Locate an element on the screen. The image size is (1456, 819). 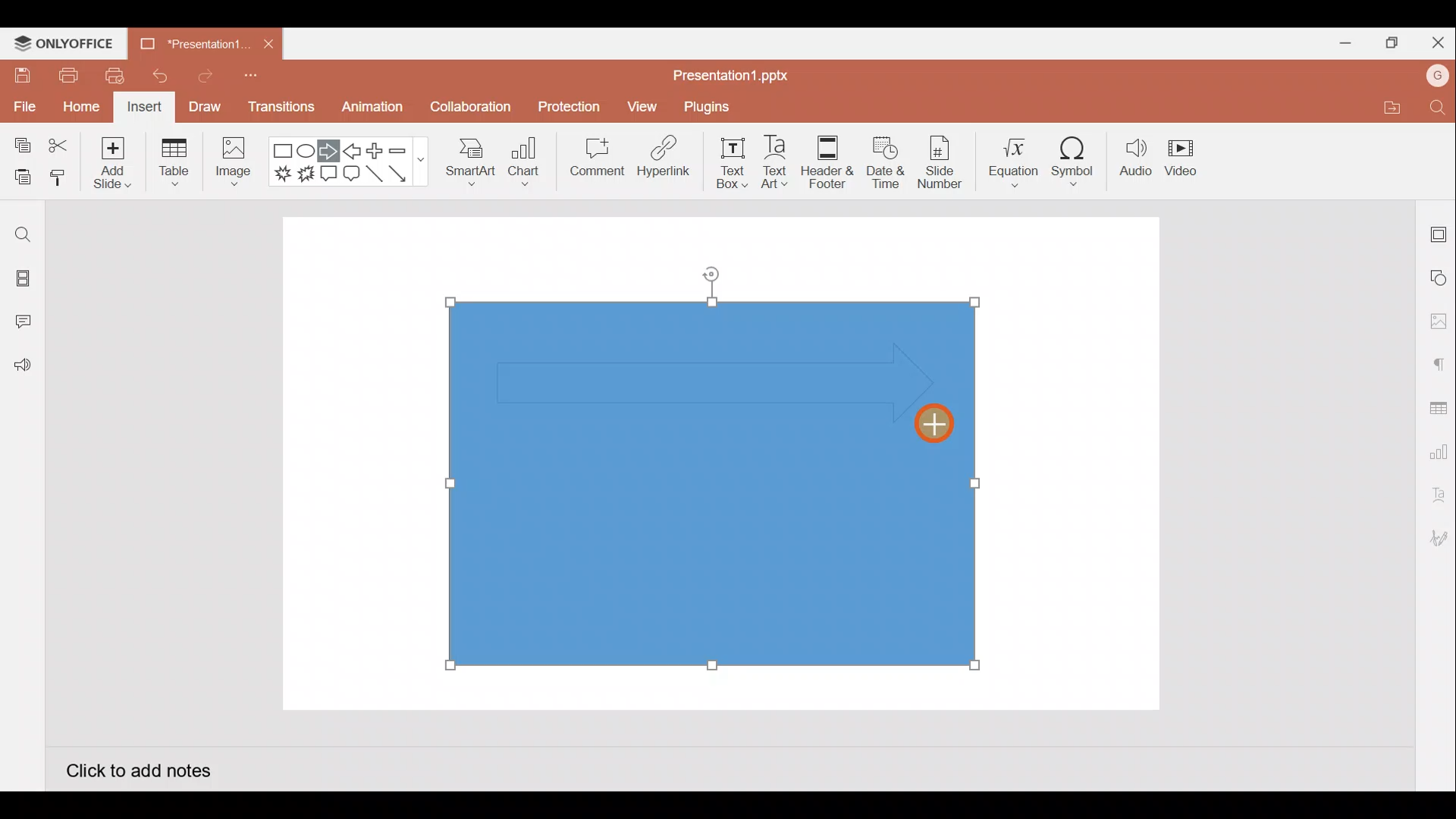
Feedback and Support is located at coordinates (22, 369).